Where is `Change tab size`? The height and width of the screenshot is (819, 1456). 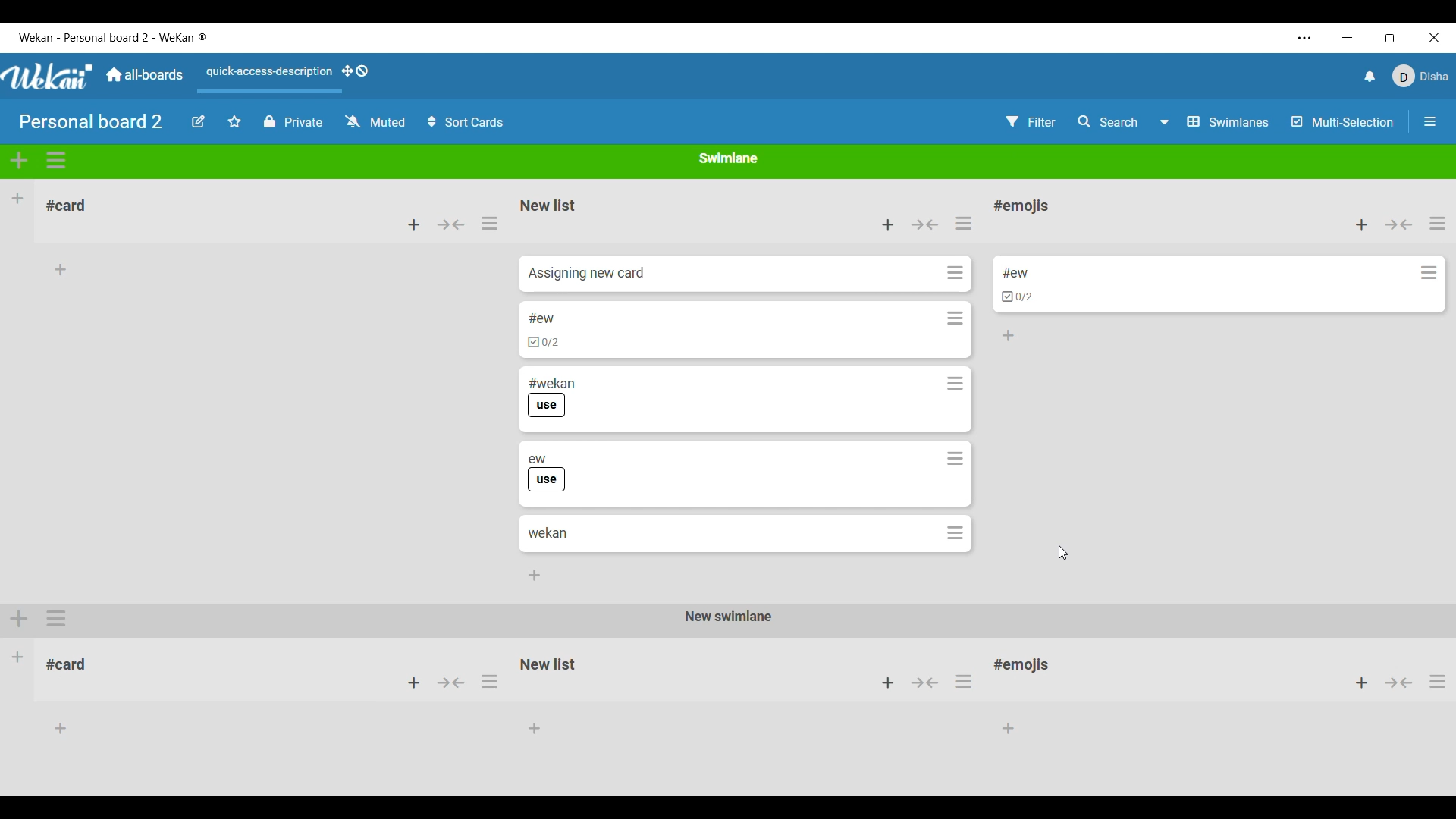 Change tab size is located at coordinates (1391, 37).